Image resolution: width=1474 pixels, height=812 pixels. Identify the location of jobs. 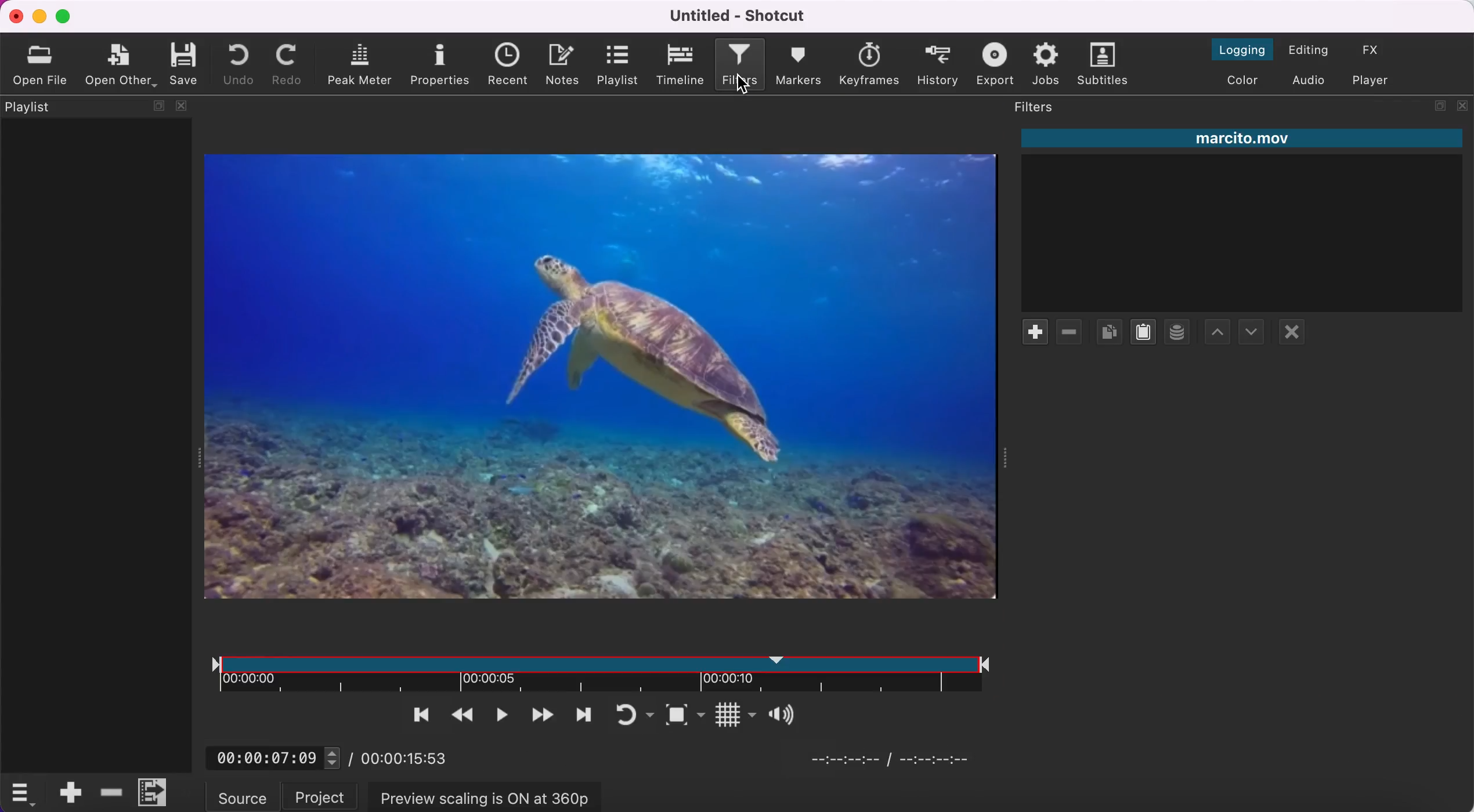
(1043, 66).